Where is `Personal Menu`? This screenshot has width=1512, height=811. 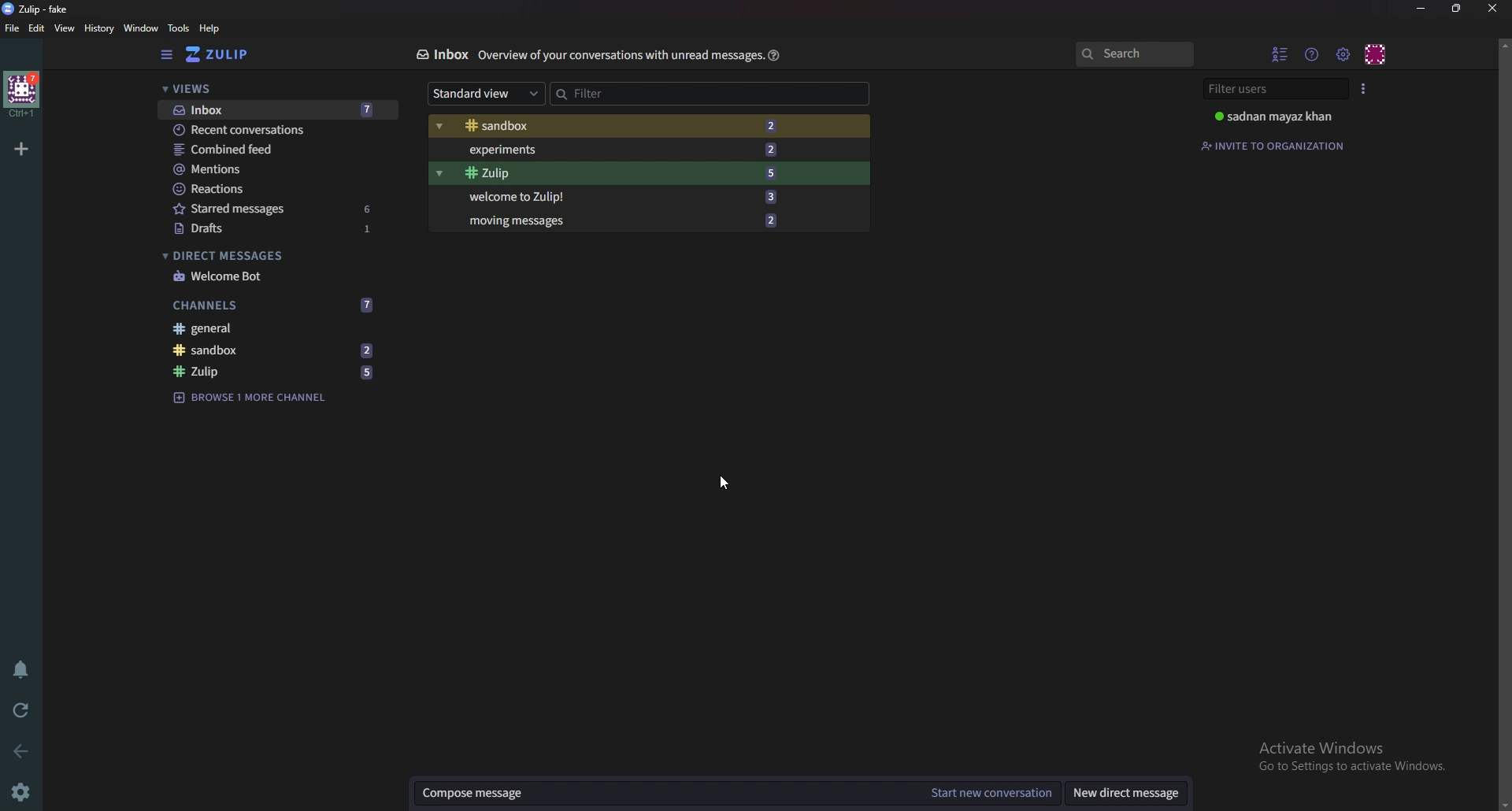 Personal Menu is located at coordinates (1378, 53).